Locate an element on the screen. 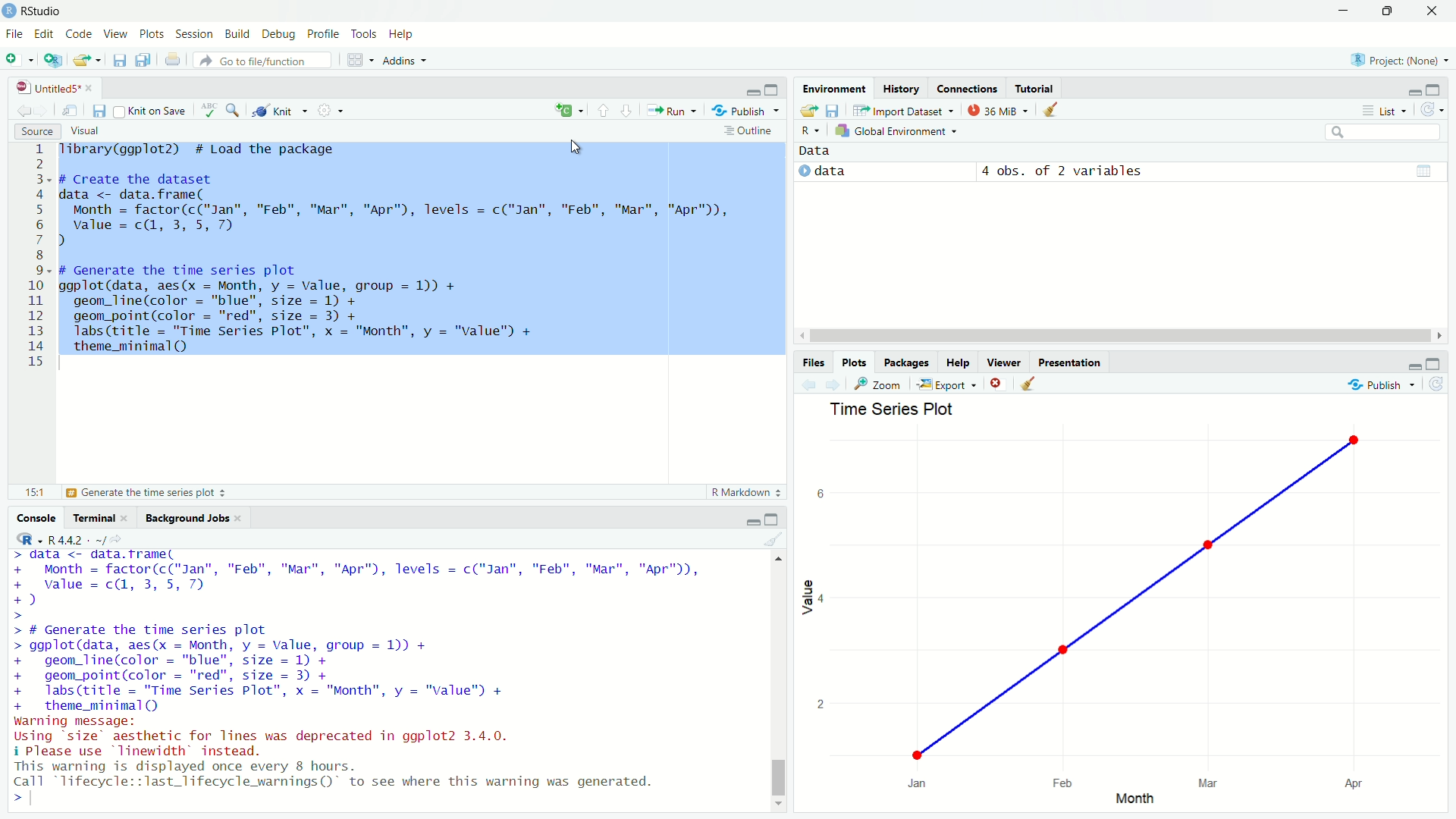 Image resolution: width=1456 pixels, height=819 pixels. maximize is located at coordinates (1441, 362).